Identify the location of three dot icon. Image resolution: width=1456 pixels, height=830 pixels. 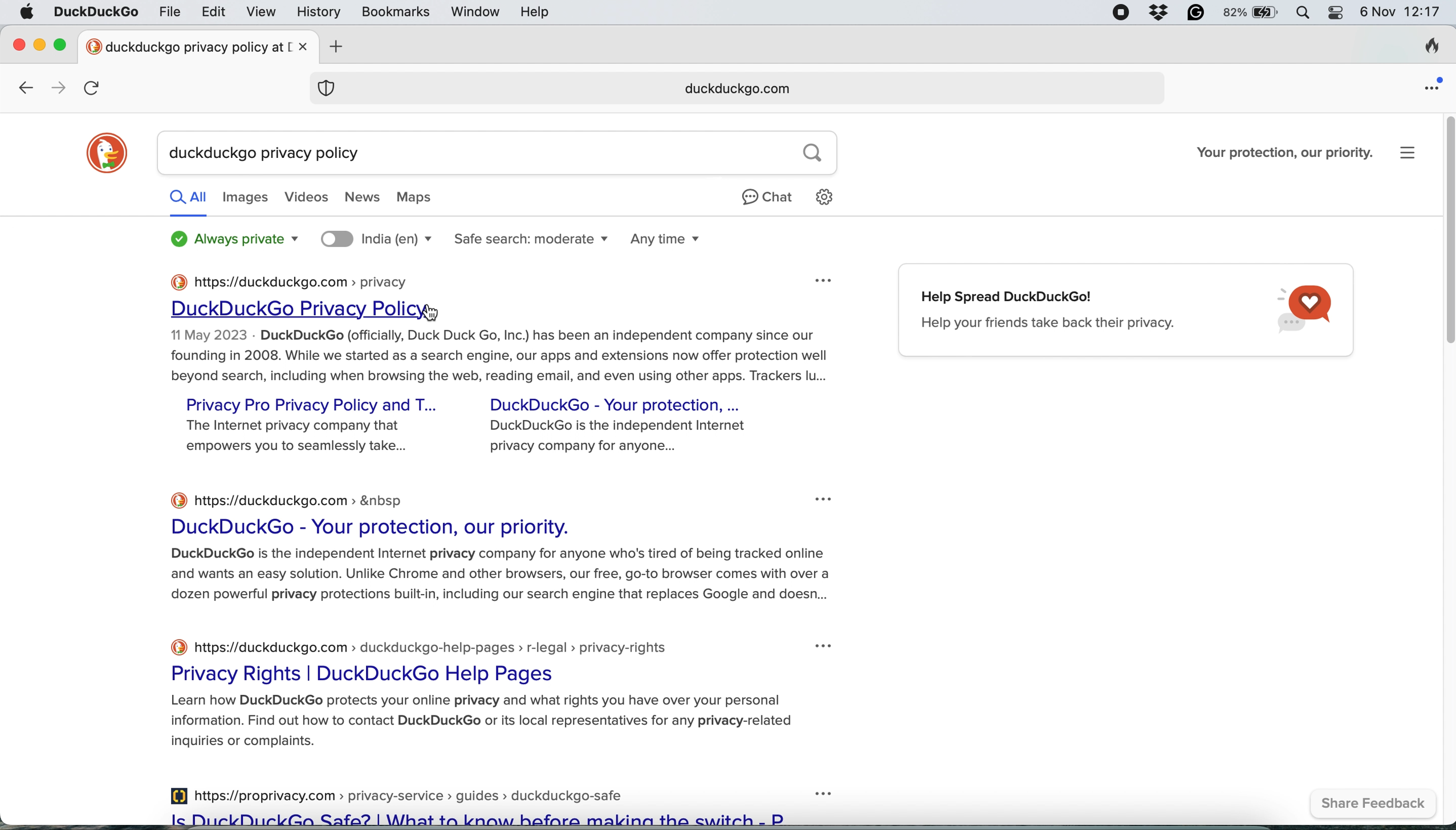
(828, 646).